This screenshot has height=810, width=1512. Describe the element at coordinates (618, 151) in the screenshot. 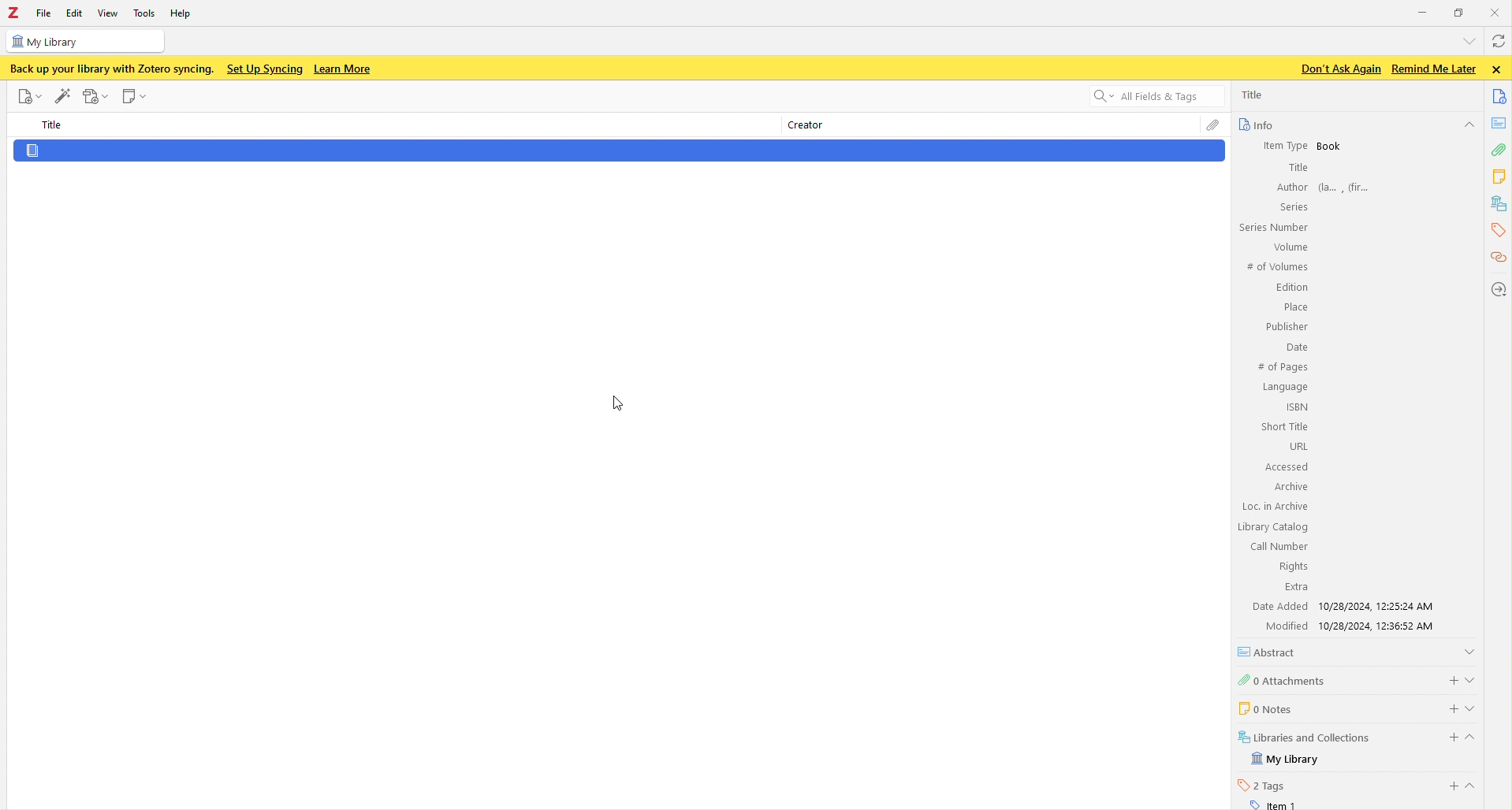

I see `Document` at that location.